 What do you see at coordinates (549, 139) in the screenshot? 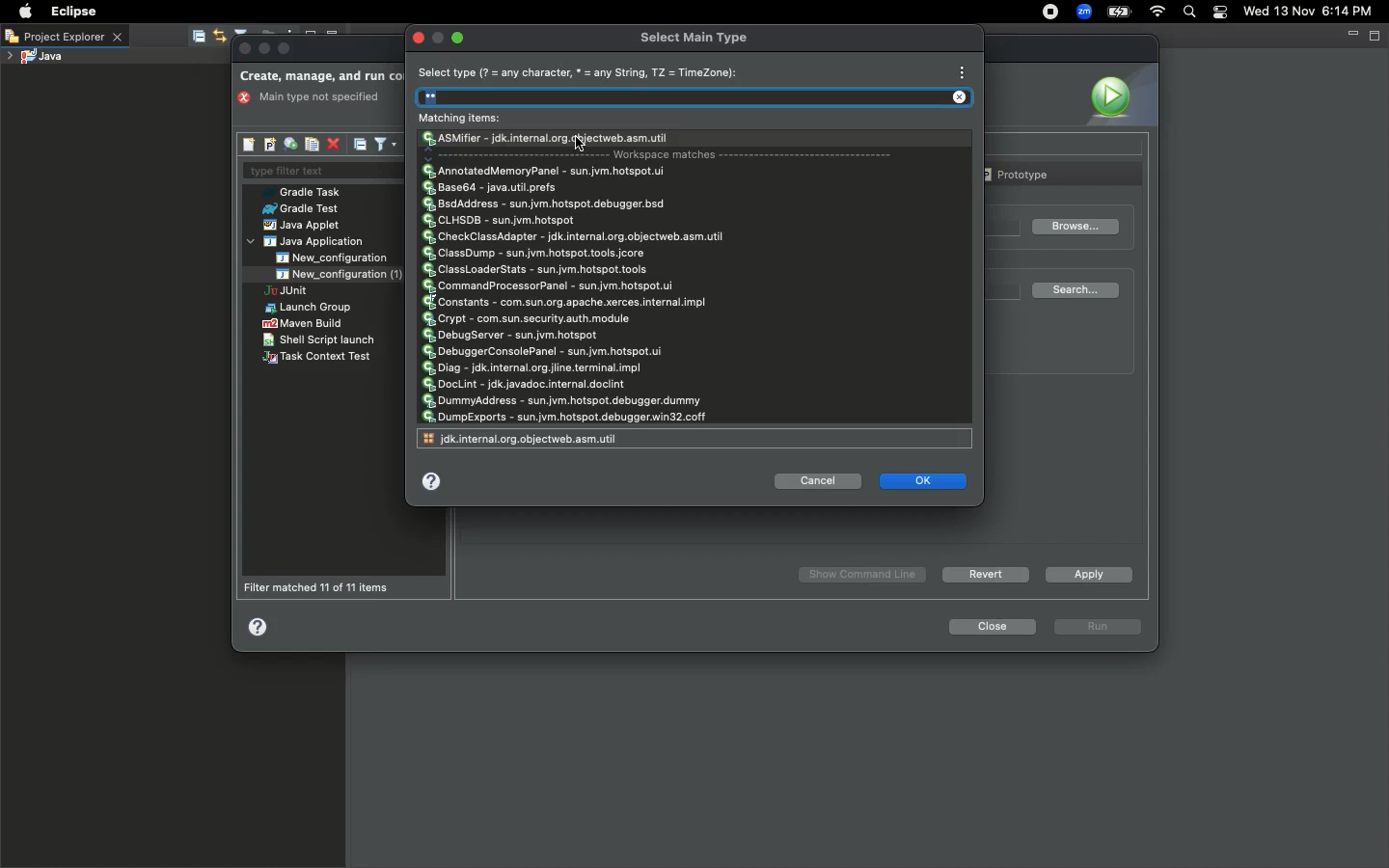
I see `Chosen type` at bounding box center [549, 139].